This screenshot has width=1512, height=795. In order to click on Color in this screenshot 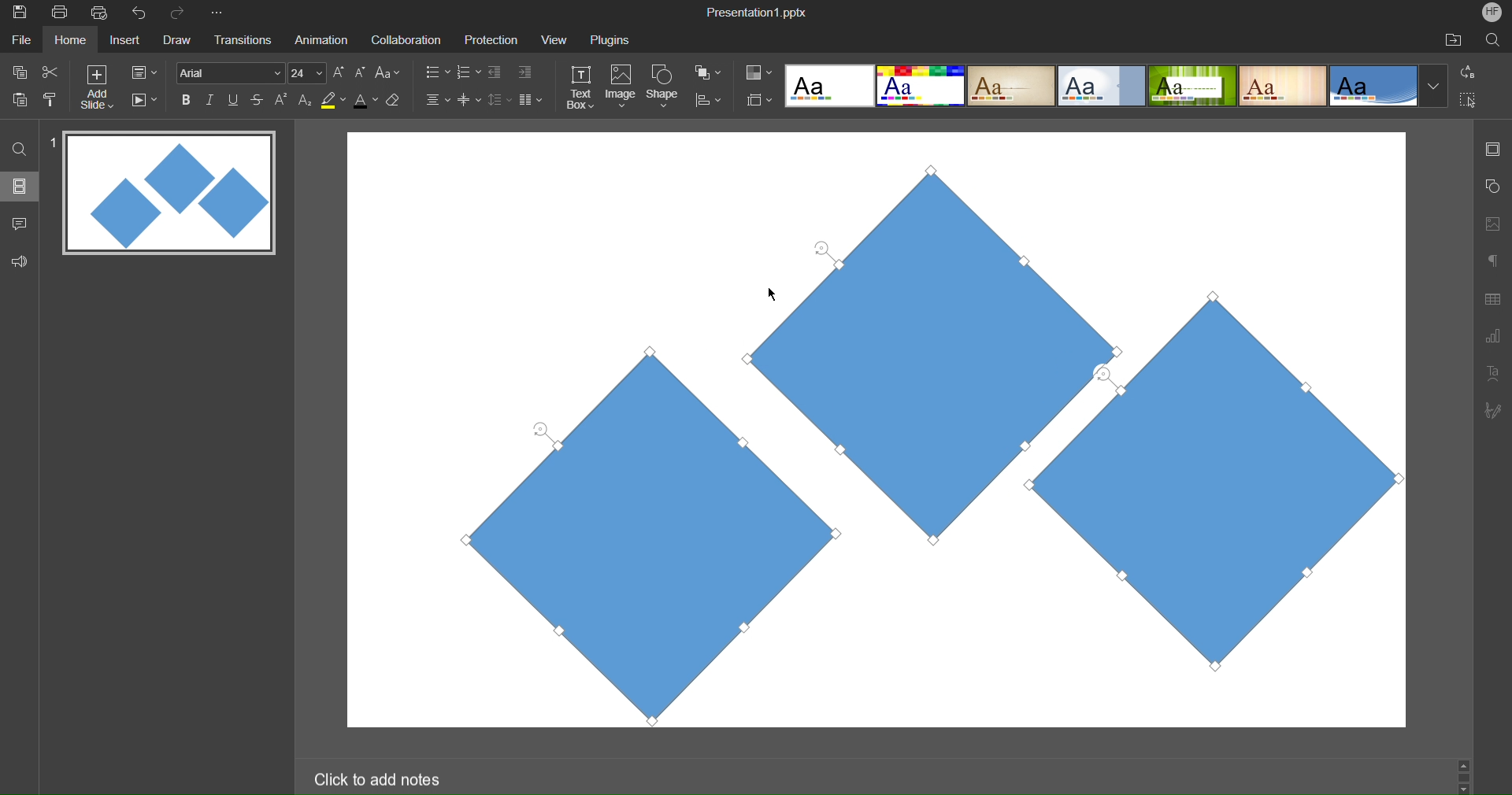, I will do `click(759, 72)`.